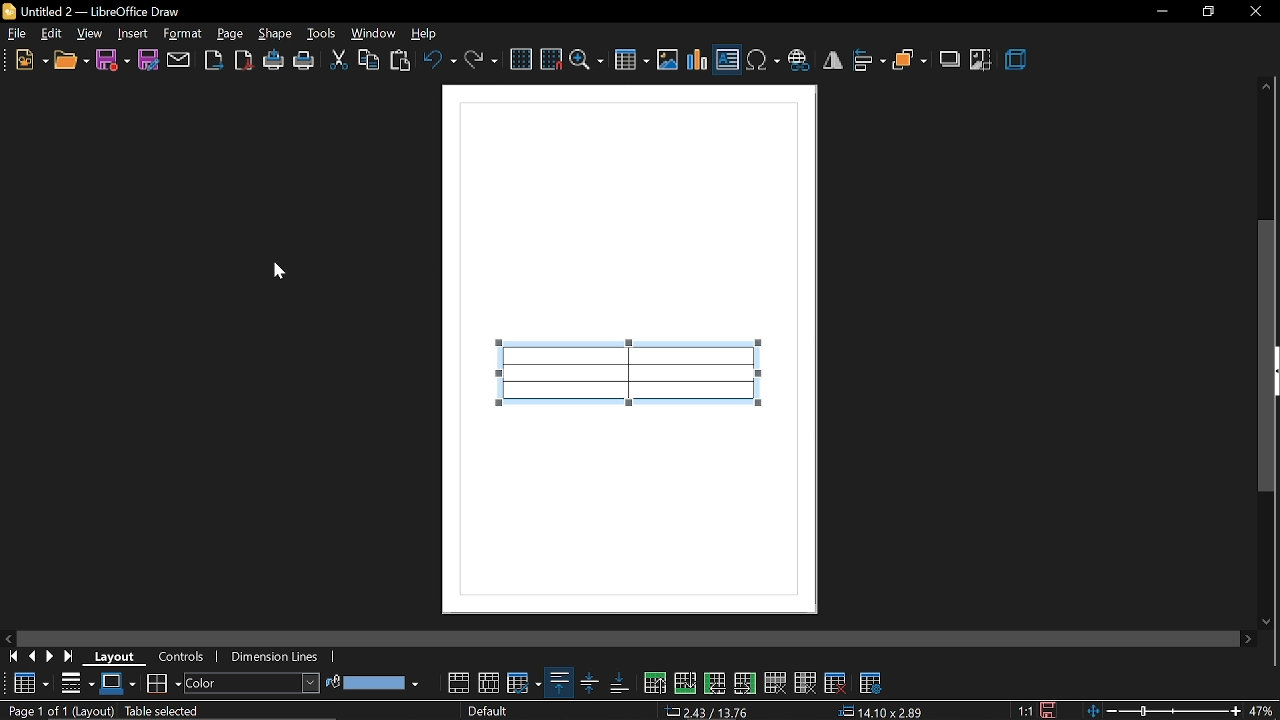 This screenshot has width=1280, height=720. Describe the element at coordinates (618, 686) in the screenshot. I see `align bottom` at that location.